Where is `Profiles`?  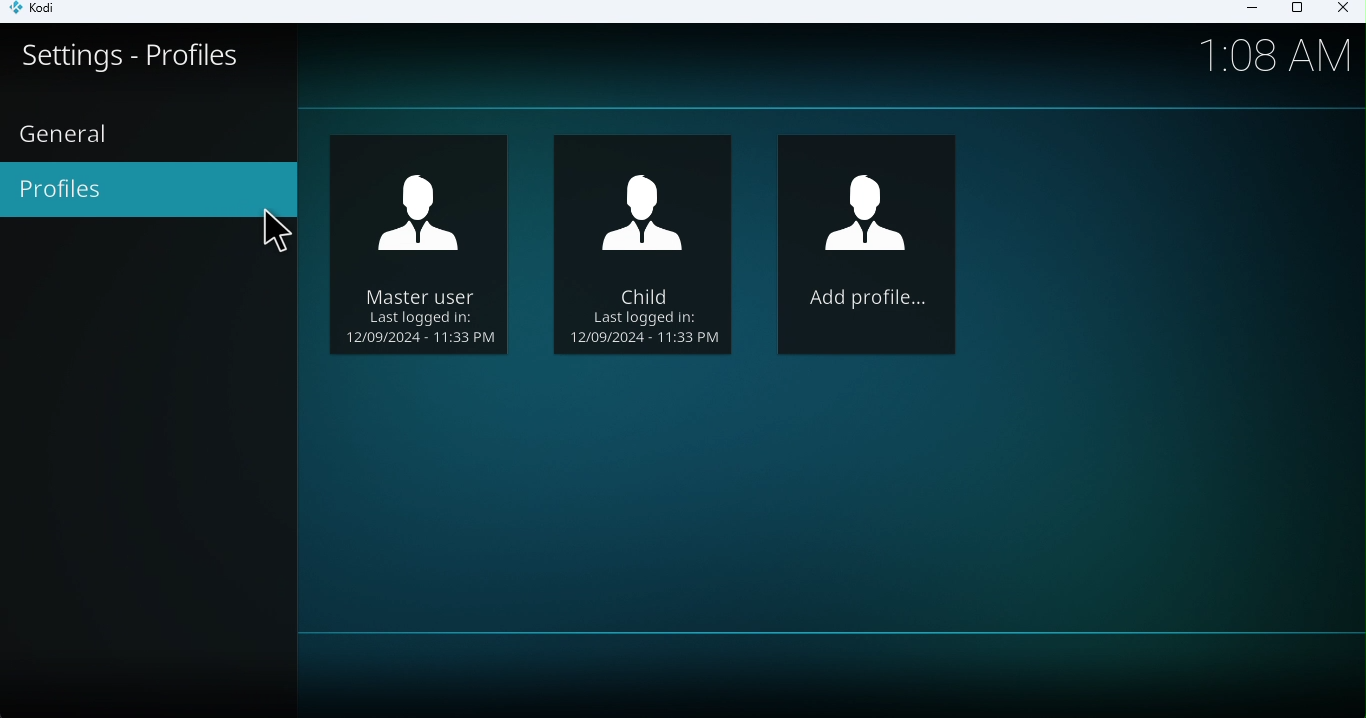 Profiles is located at coordinates (151, 190).